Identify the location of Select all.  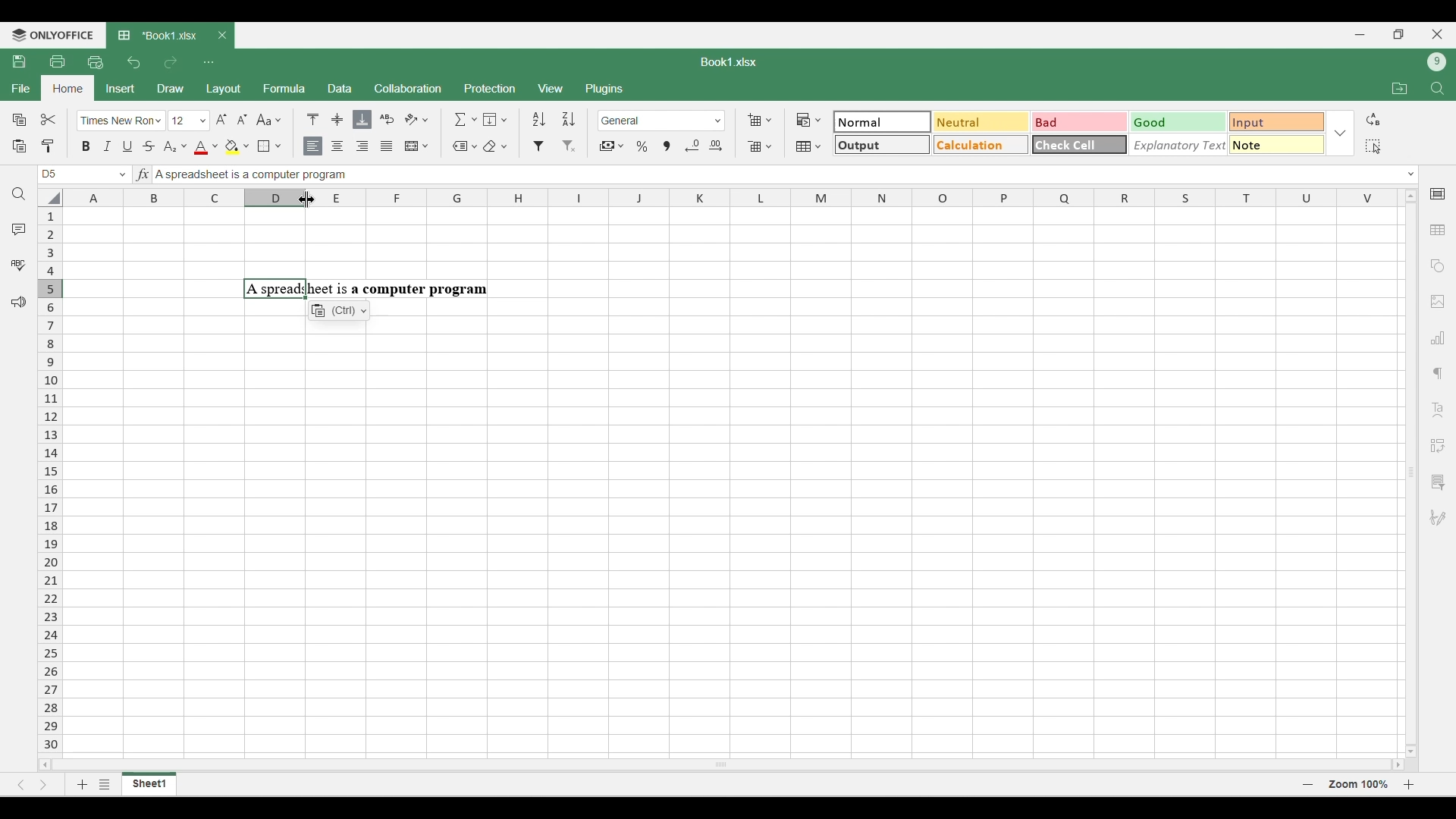
(1373, 146).